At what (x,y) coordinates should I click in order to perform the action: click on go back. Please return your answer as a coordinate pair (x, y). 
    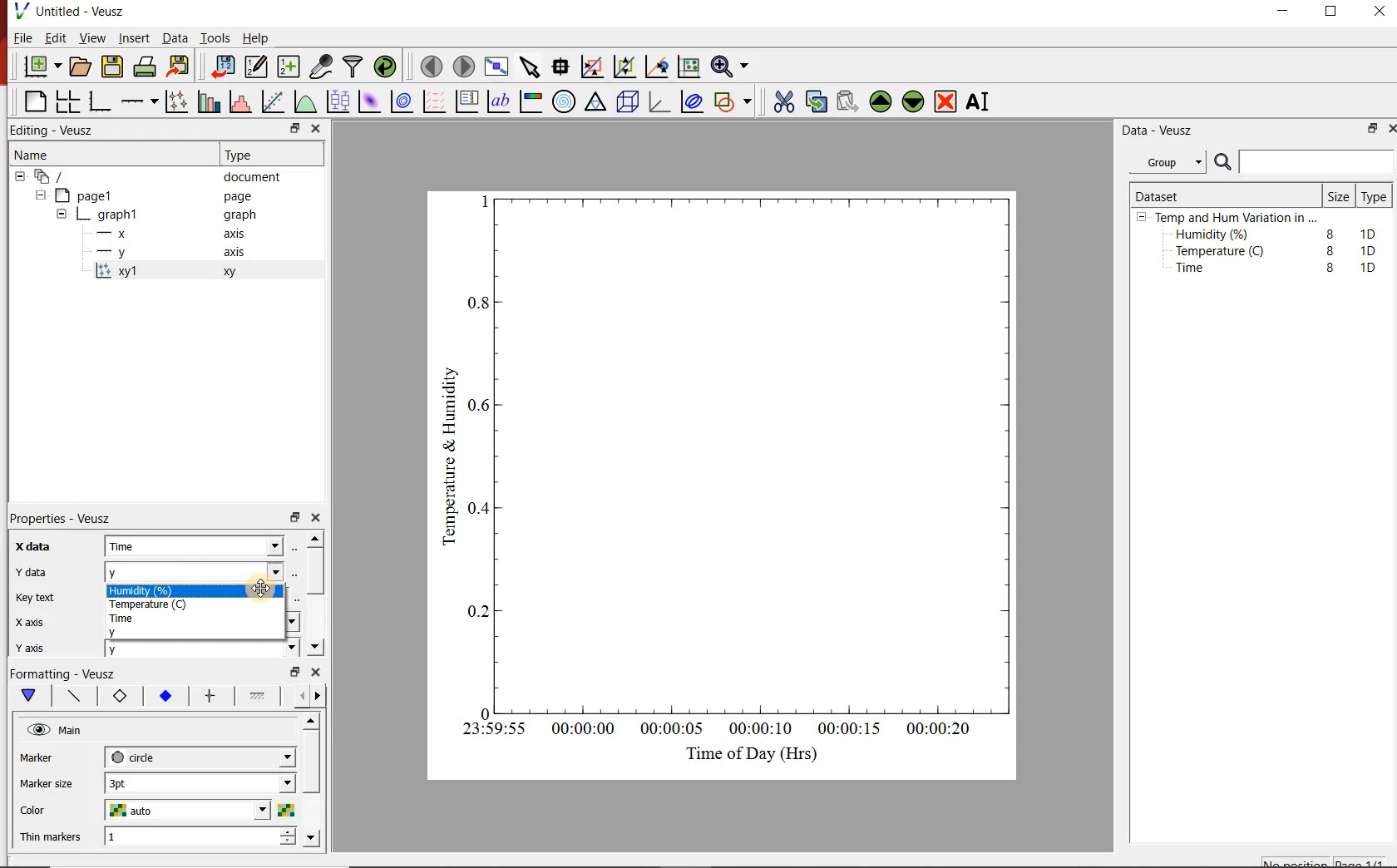
    Looking at the image, I should click on (296, 694).